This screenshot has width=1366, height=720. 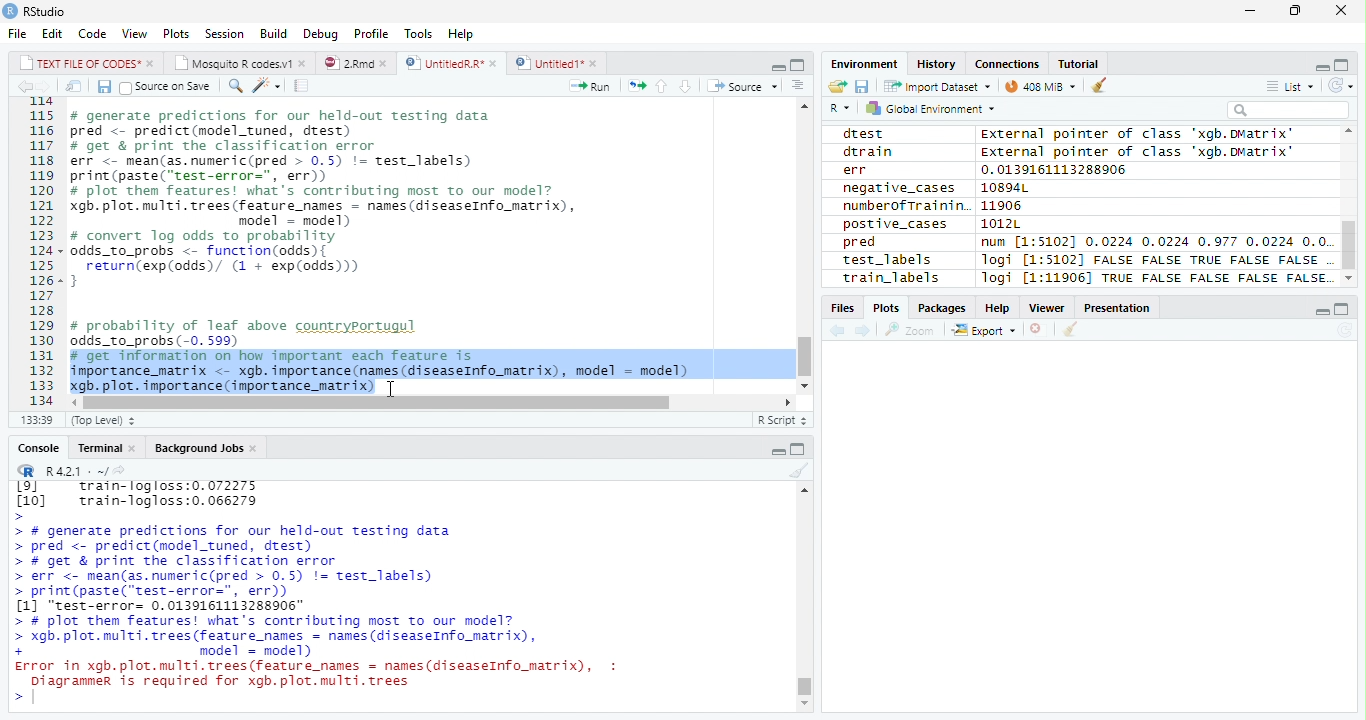 I want to click on Row Number, so click(x=35, y=253).